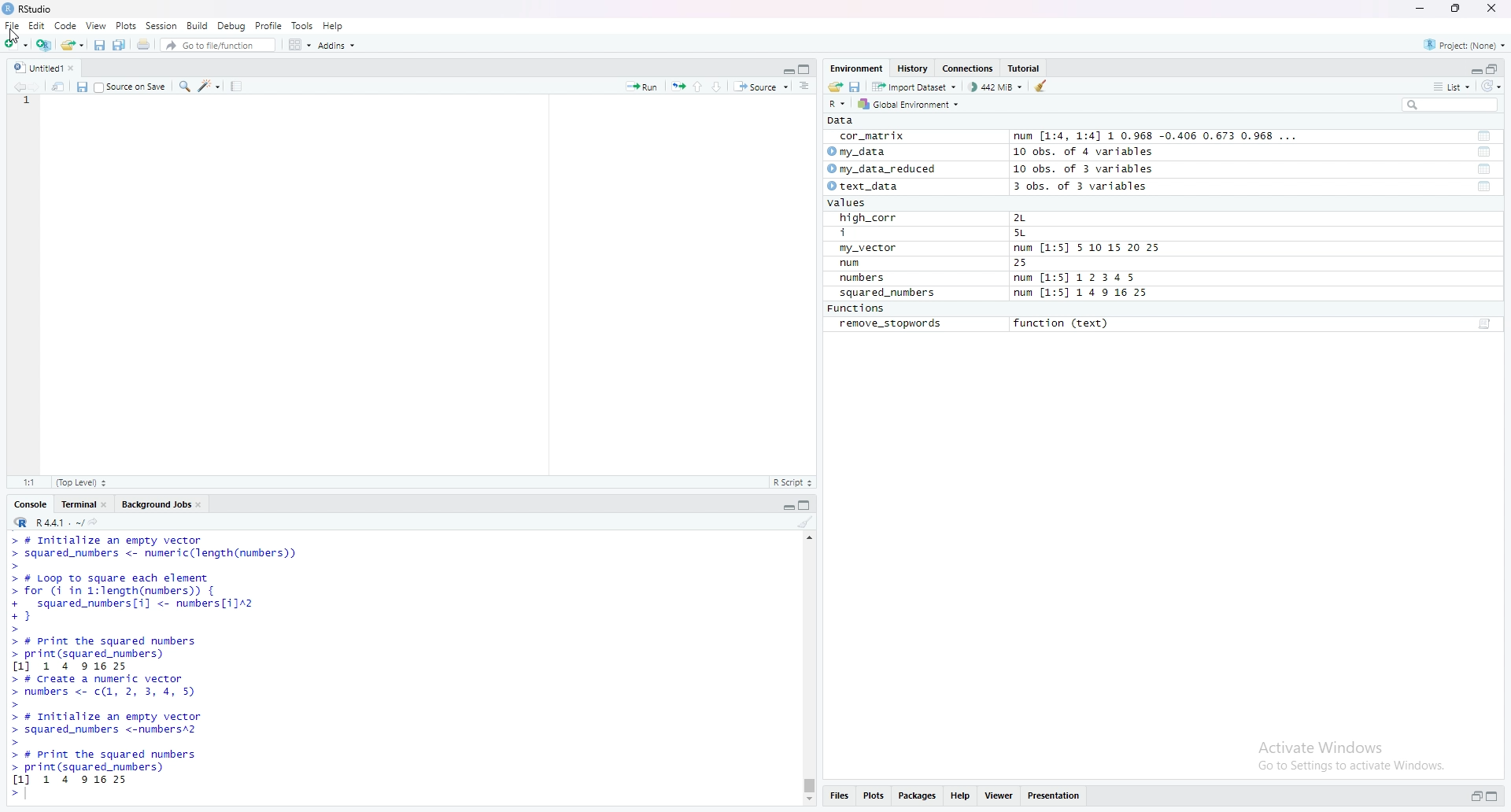  I want to click on Build, so click(198, 28).